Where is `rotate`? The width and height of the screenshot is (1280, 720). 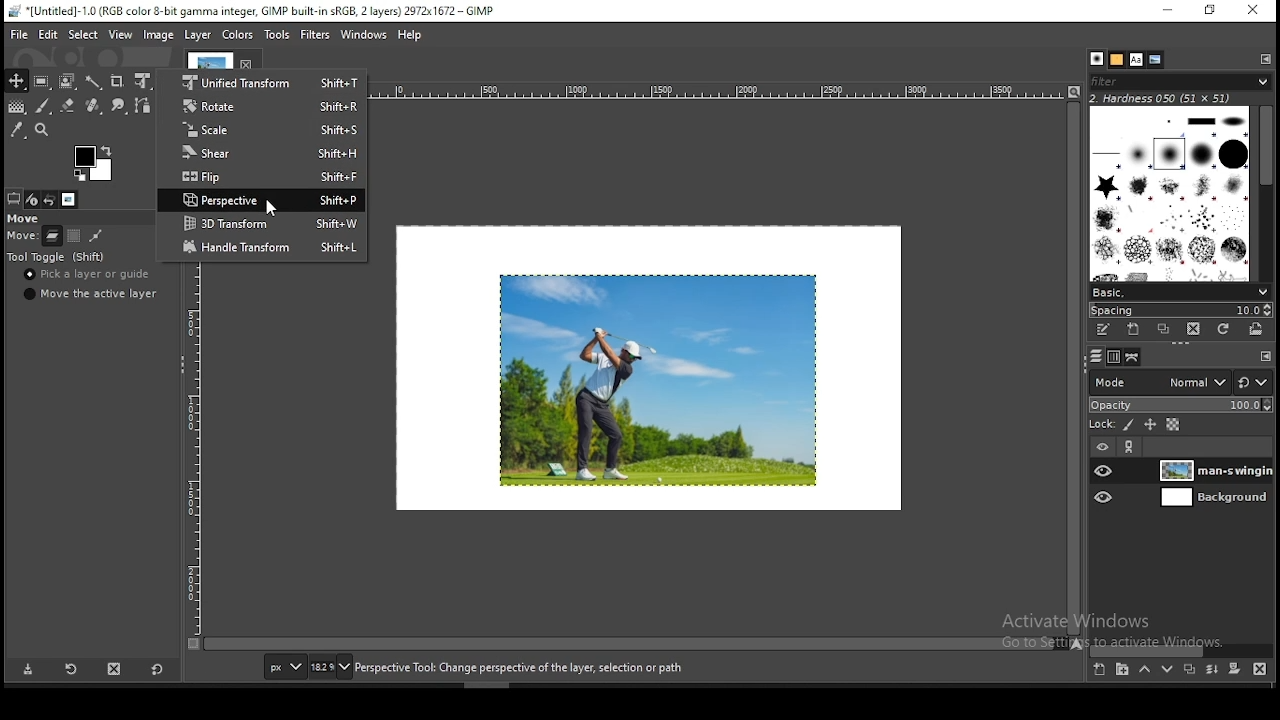 rotate is located at coordinates (263, 106).